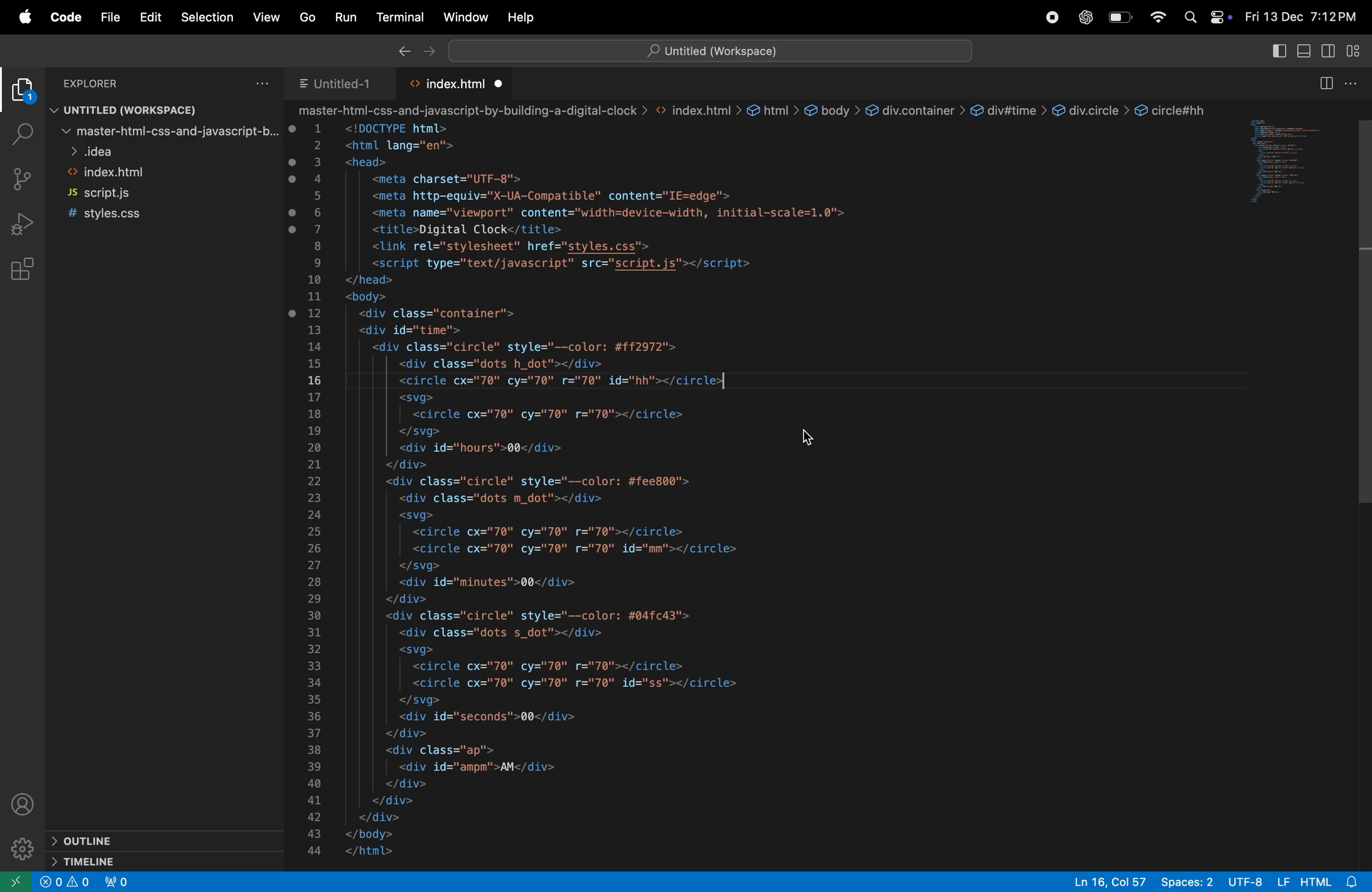 The image size is (1372, 892). I want to click on Html, so click(1316, 880).